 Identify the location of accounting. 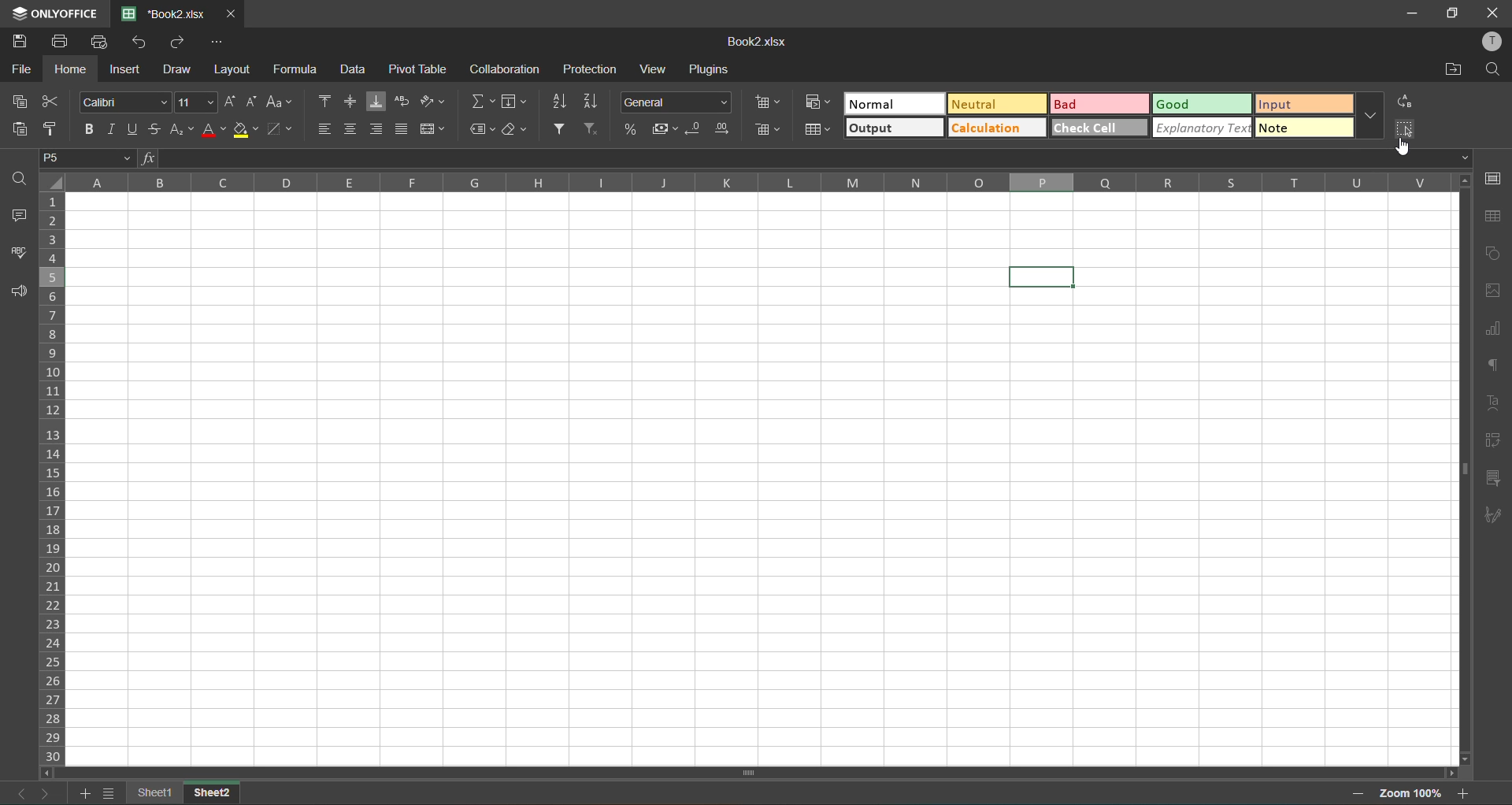
(662, 130).